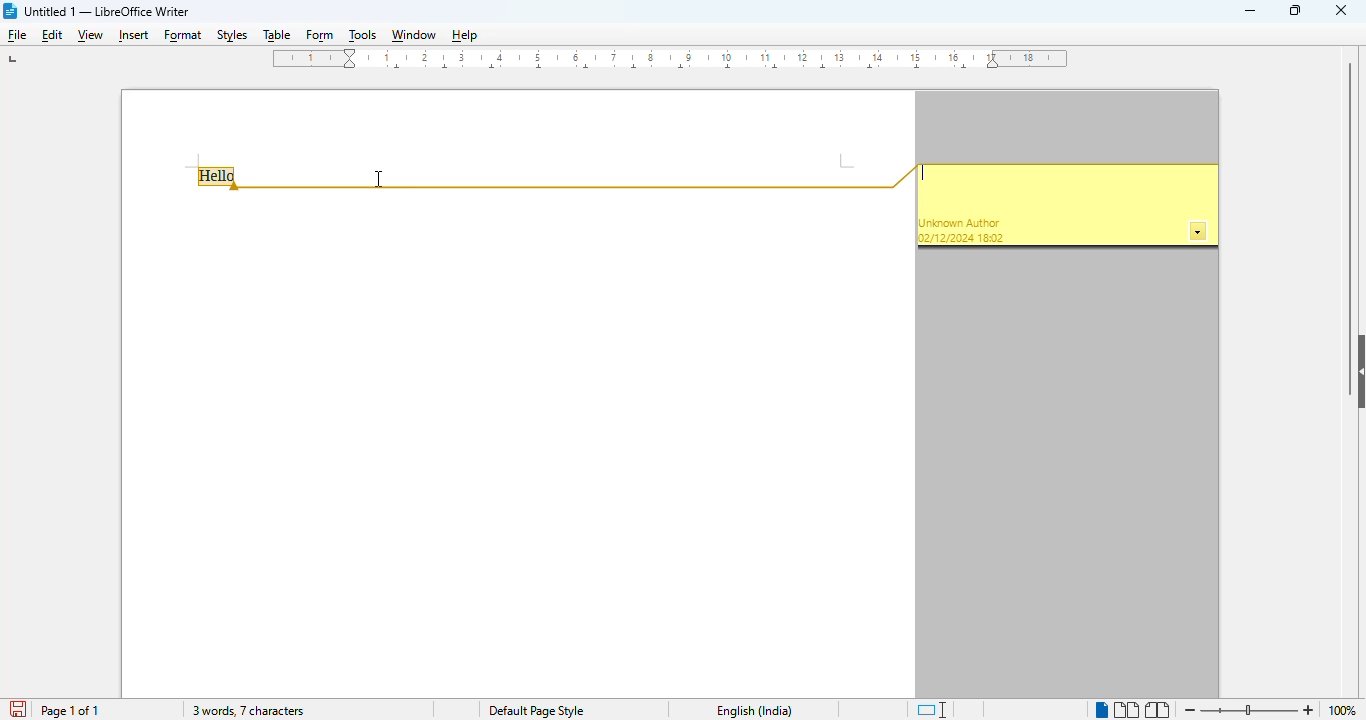  What do you see at coordinates (671, 59) in the screenshot?
I see `ruler` at bounding box center [671, 59].